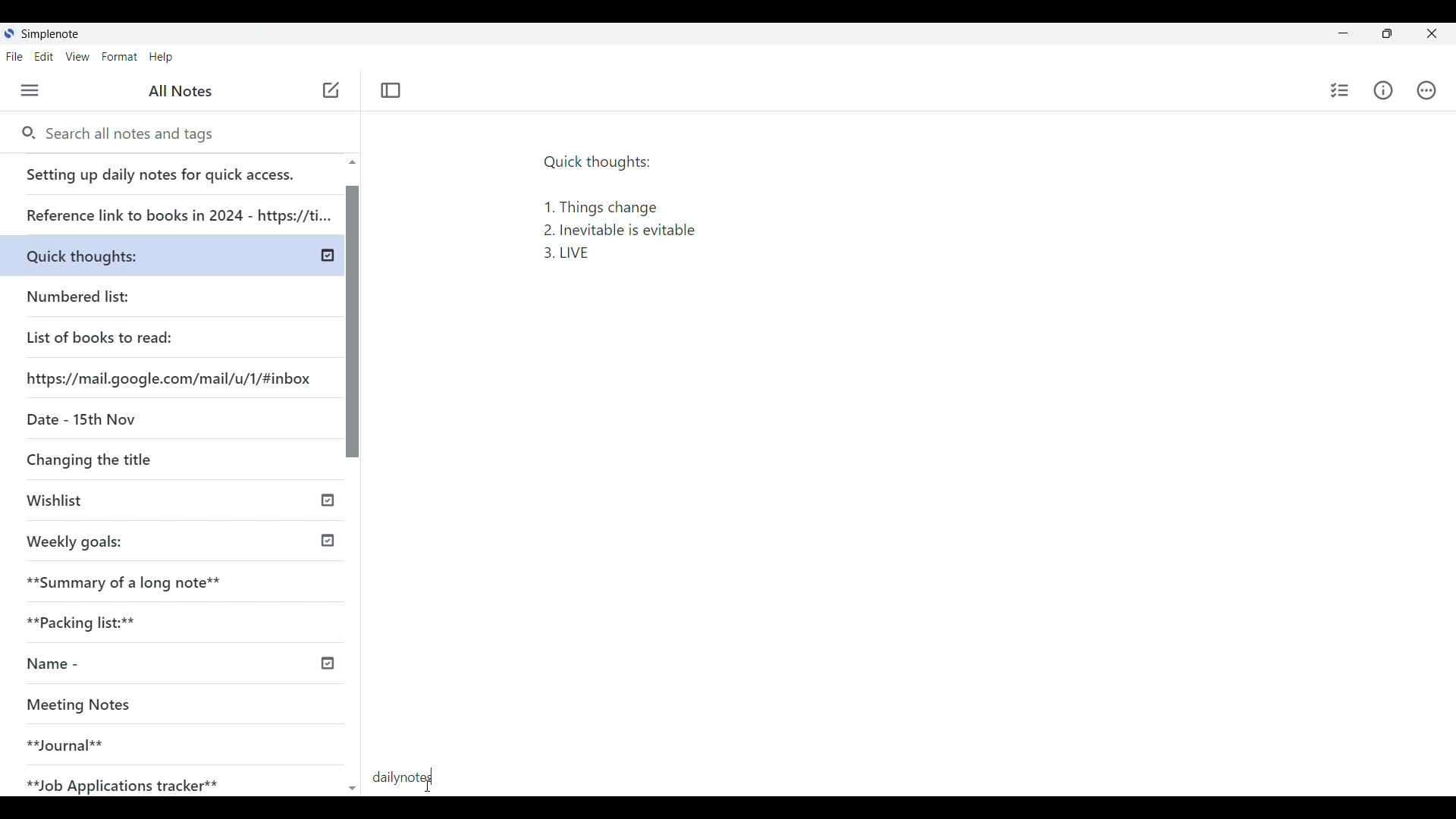 The height and width of the screenshot is (819, 1456). What do you see at coordinates (44, 57) in the screenshot?
I see `Edit menu` at bounding box center [44, 57].